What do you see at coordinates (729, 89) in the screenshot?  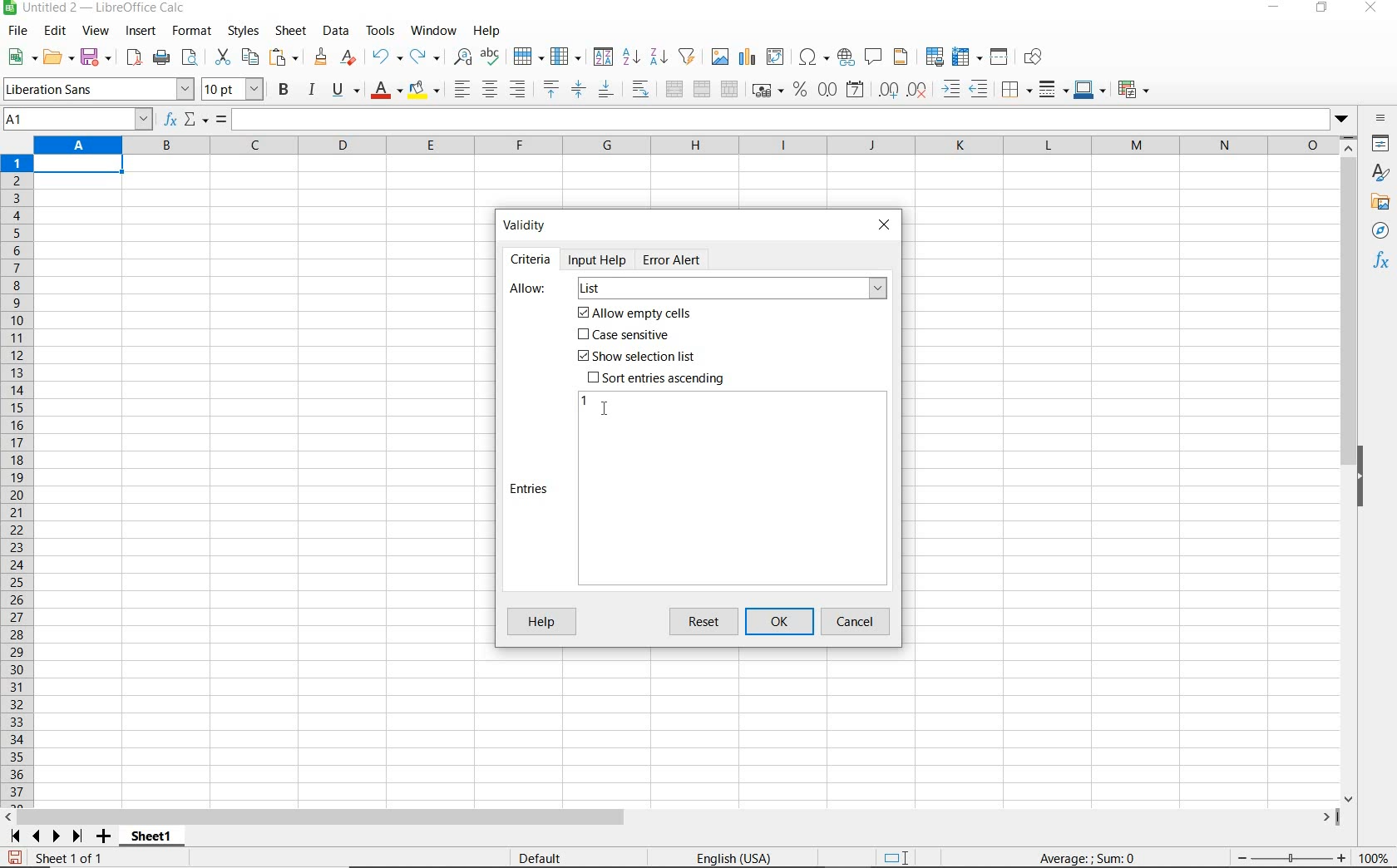 I see `unmerge cells` at bounding box center [729, 89].